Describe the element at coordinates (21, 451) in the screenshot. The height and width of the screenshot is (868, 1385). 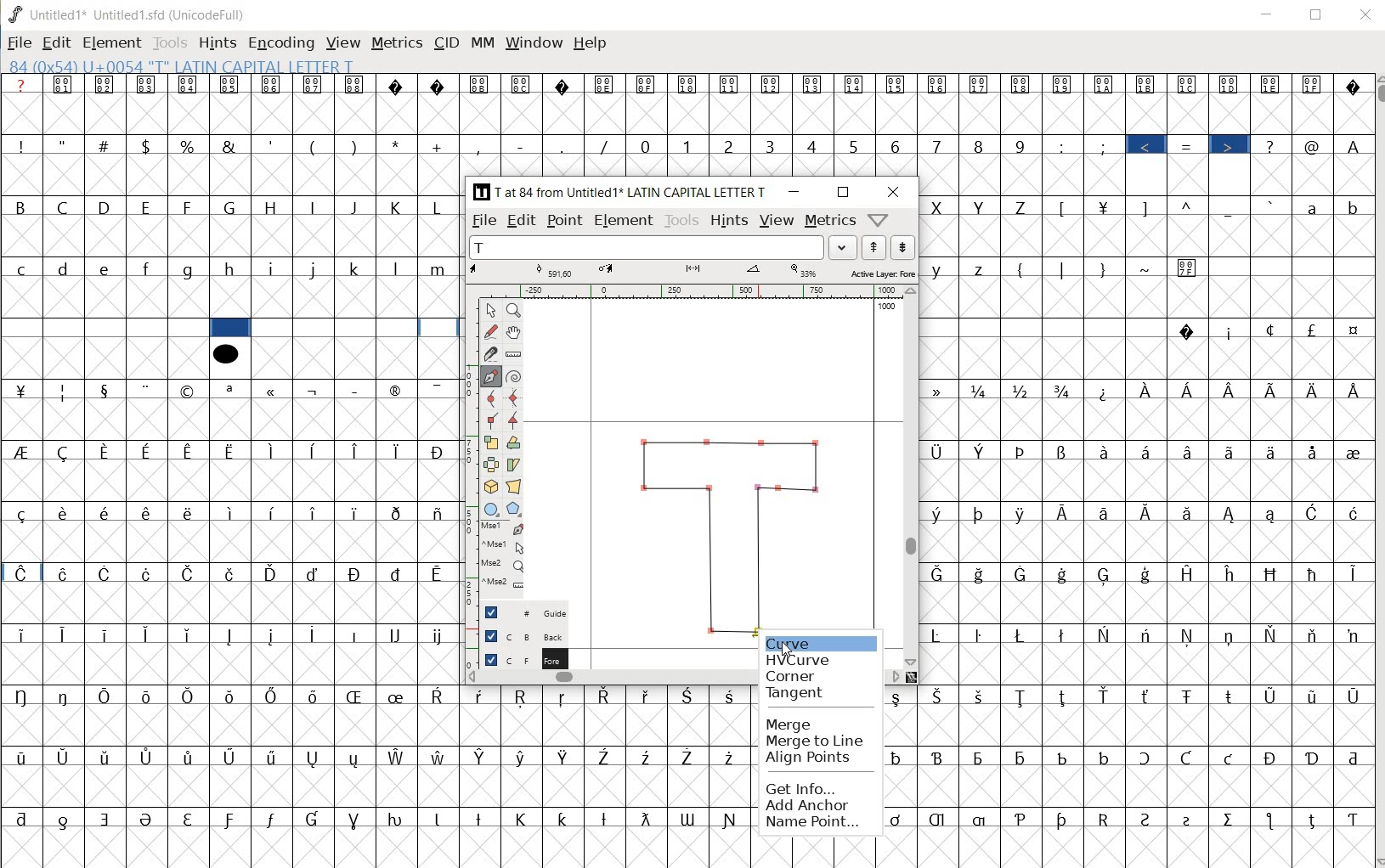
I see `Symbol` at that location.